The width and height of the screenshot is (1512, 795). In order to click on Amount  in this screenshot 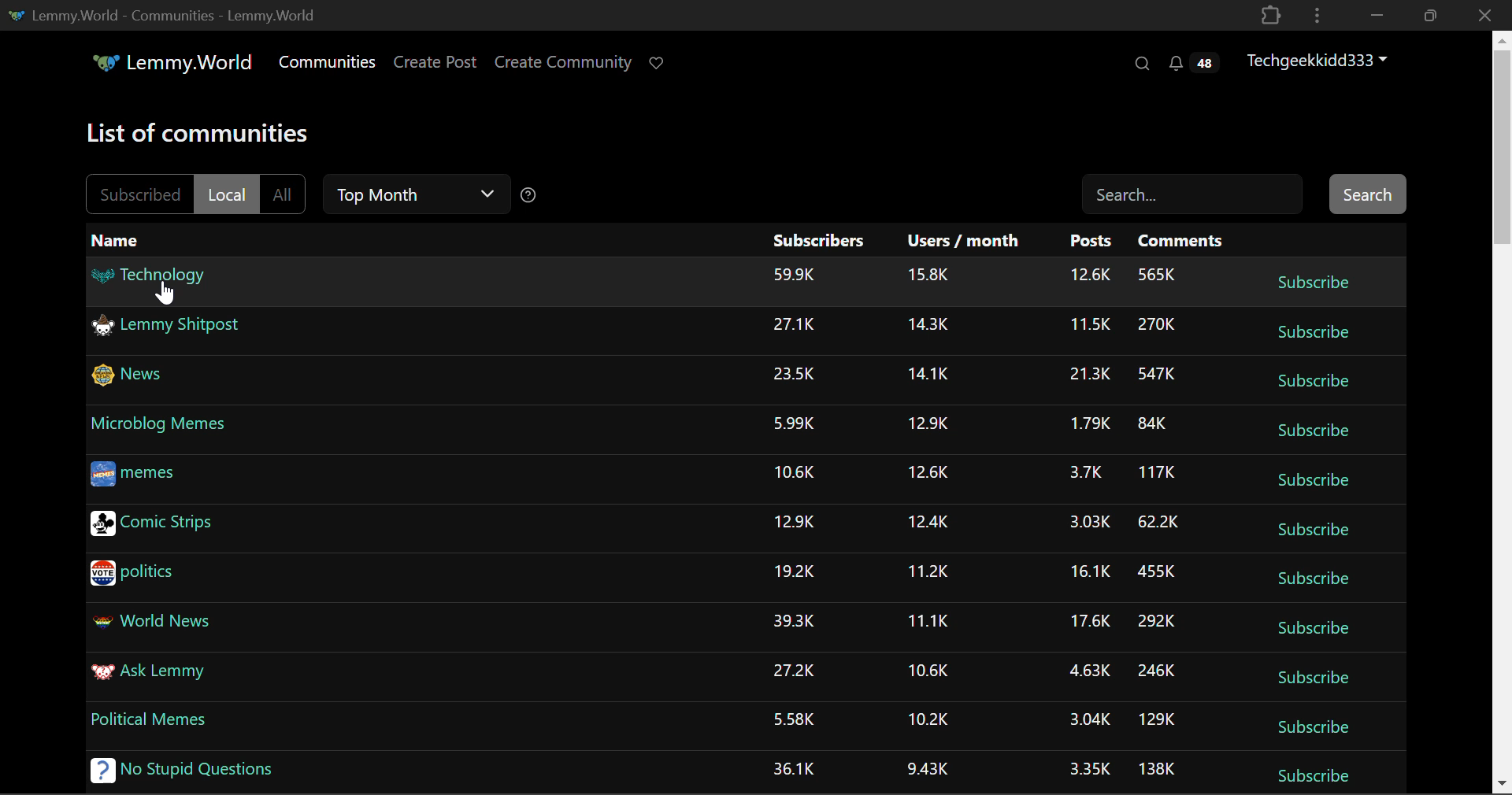, I will do `click(795, 571)`.